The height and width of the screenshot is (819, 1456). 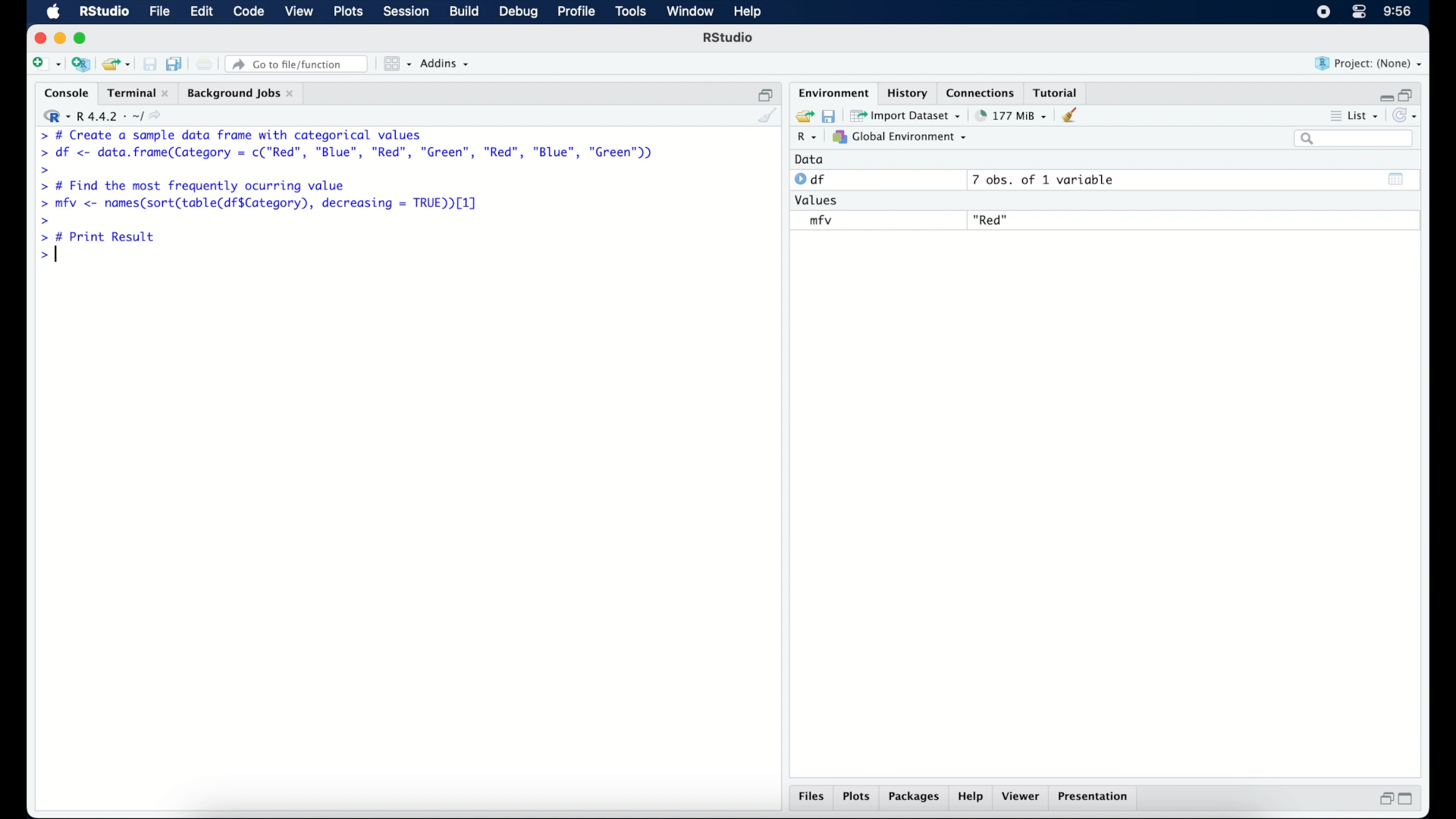 What do you see at coordinates (37, 37) in the screenshot?
I see `close` at bounding box center [37, 37].